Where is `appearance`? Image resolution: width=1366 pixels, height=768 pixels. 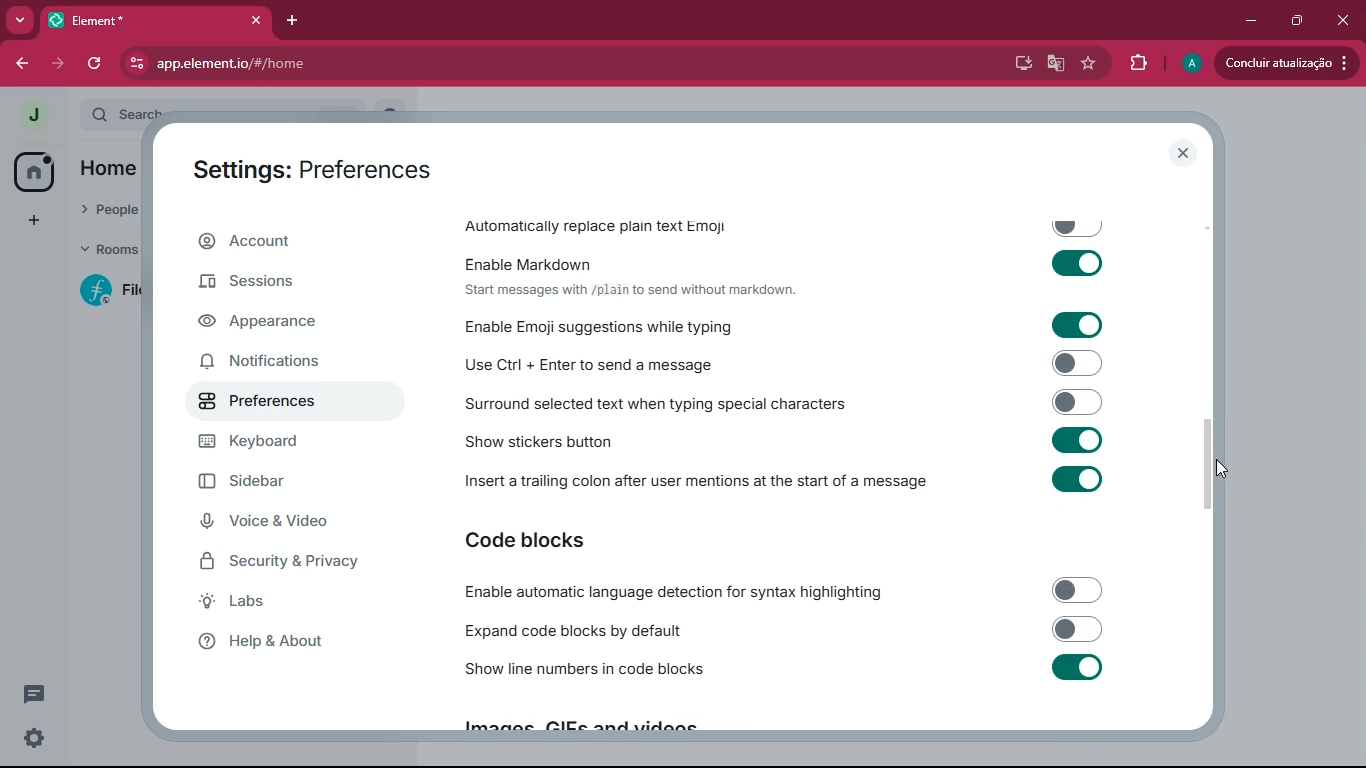 appearance is located at coordinates (293, 323).